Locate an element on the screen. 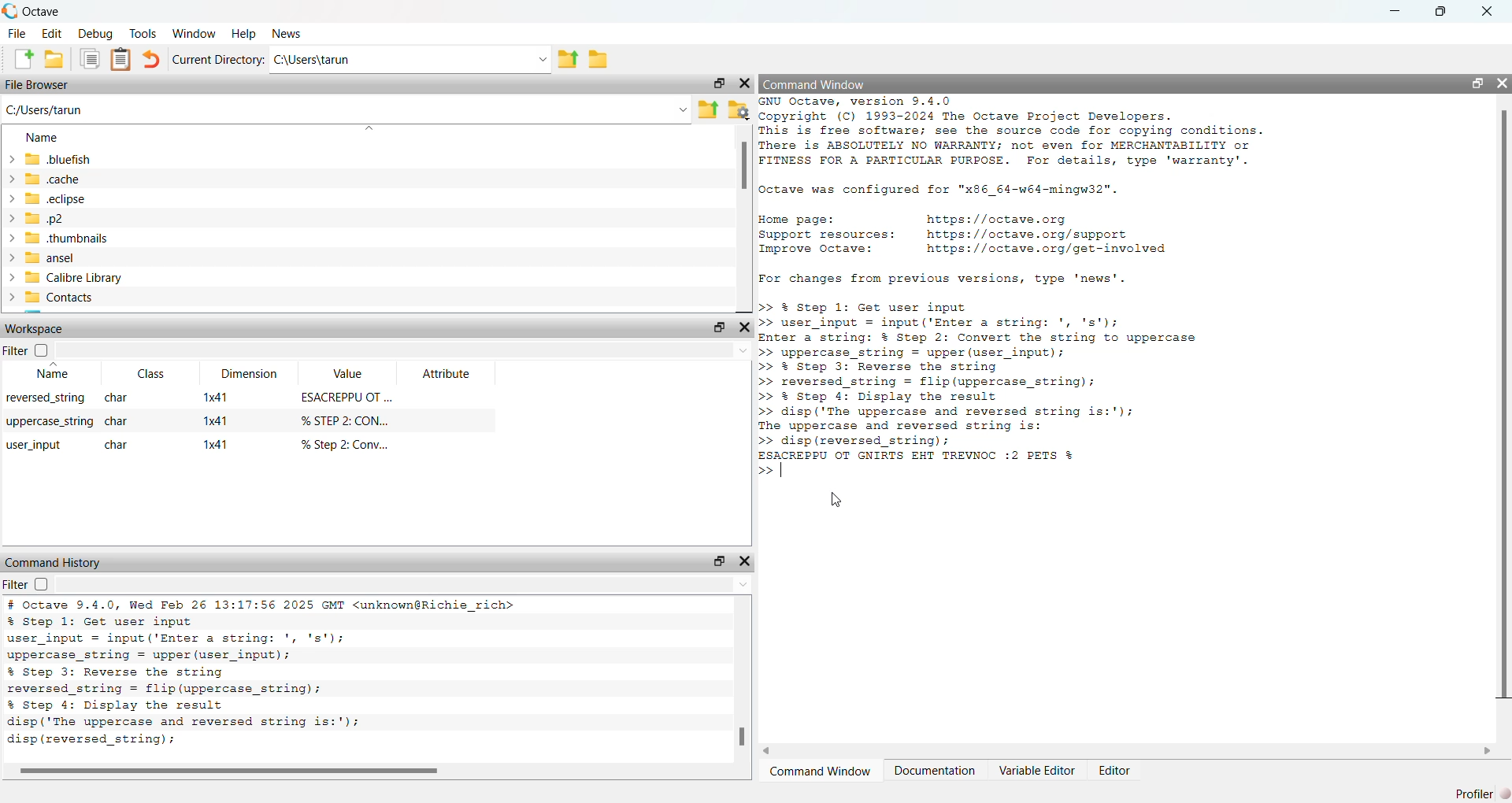  hide widget is located at coordinates (746, 326).